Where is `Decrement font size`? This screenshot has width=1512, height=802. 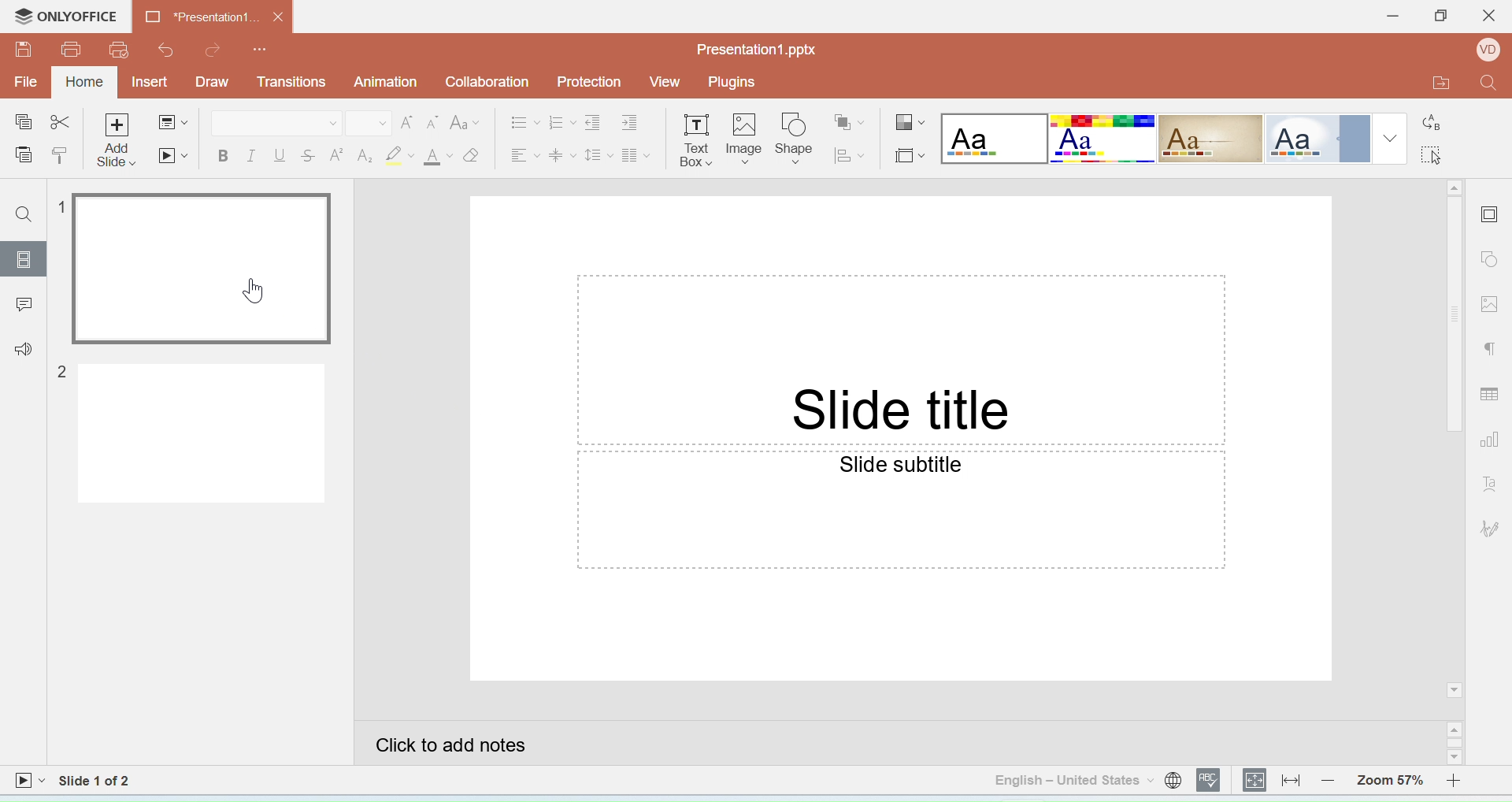
Decrement font size is located at coordinates (432, 124).